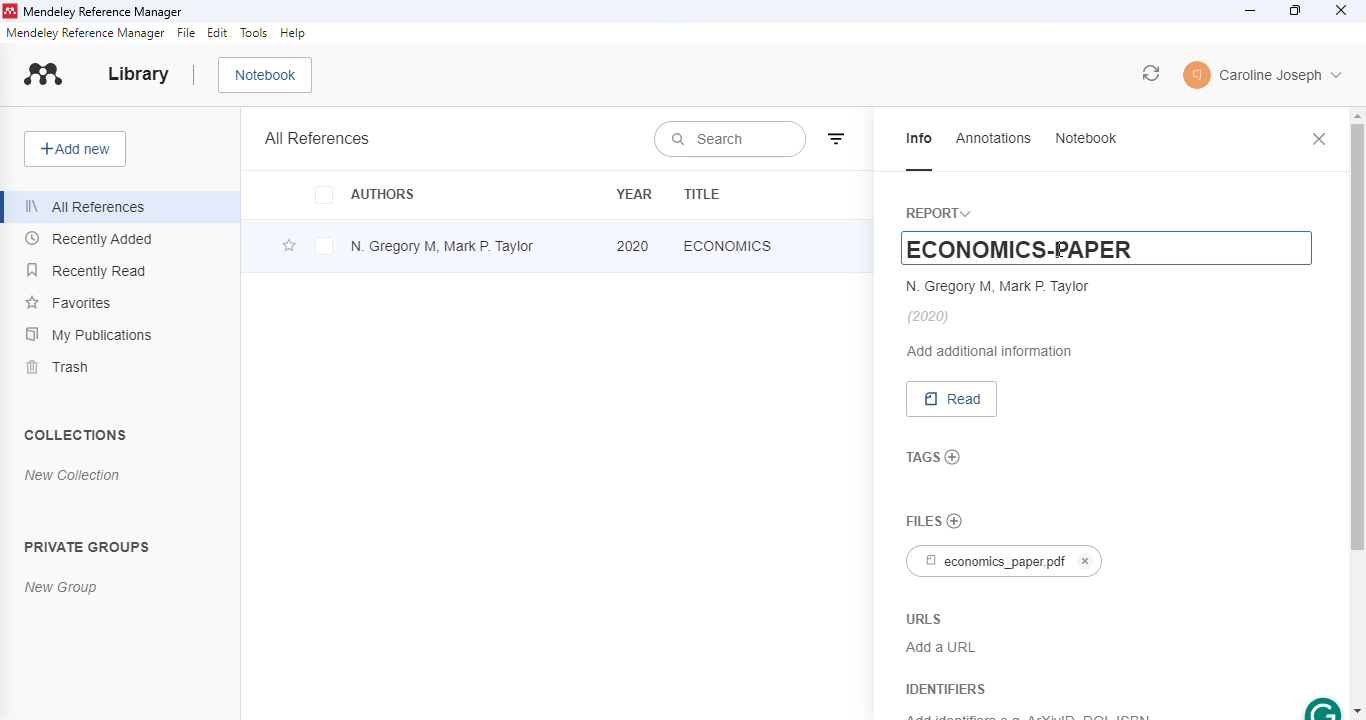  What do you see at coordinates (1019, 249) in the screenshot?
I see `ECONOMICS-PAPER` at bounding box center [1019, 249].